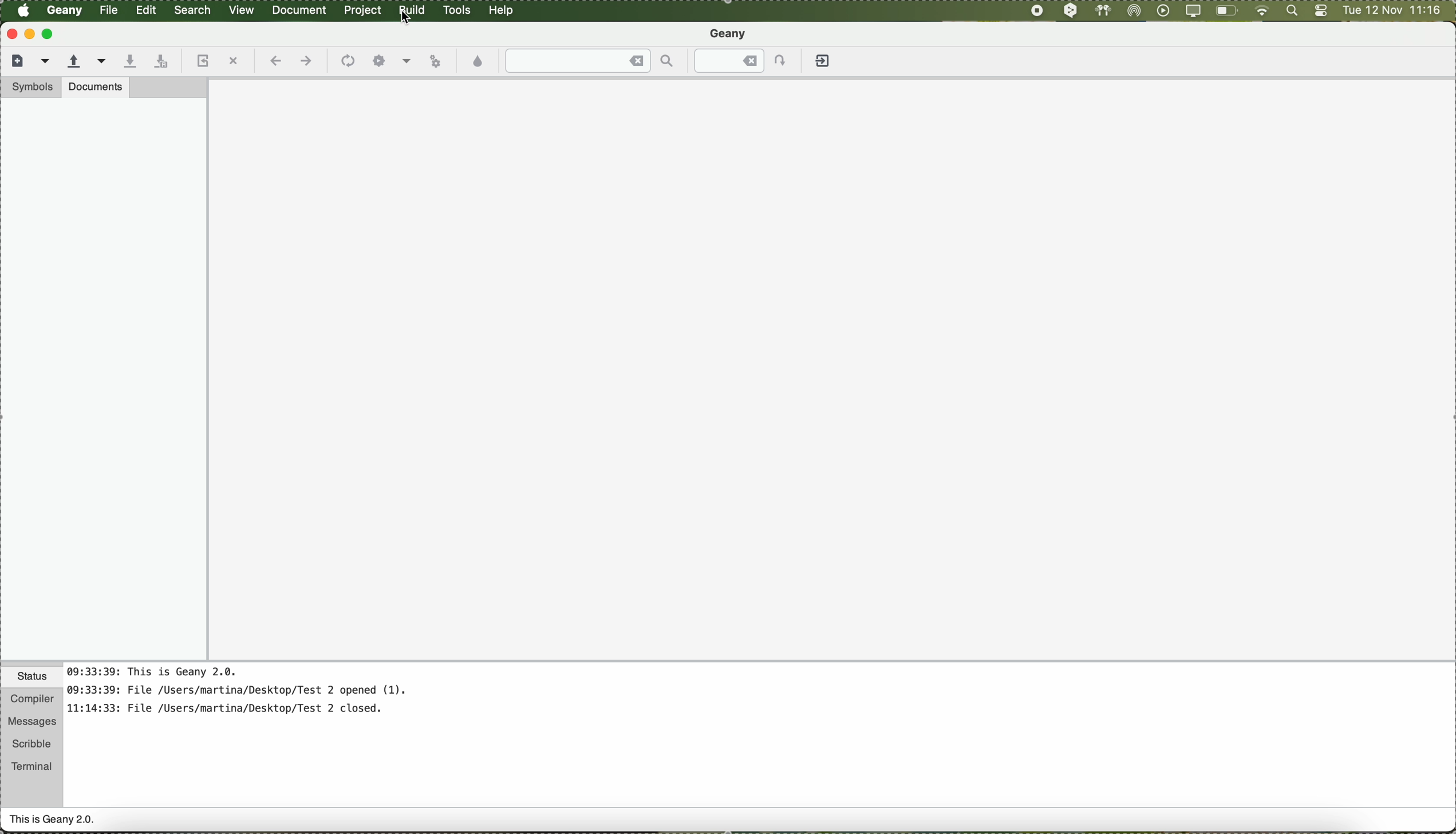 This screenshot has height=834, width=1456. I want to click on search, so click(194, 10).